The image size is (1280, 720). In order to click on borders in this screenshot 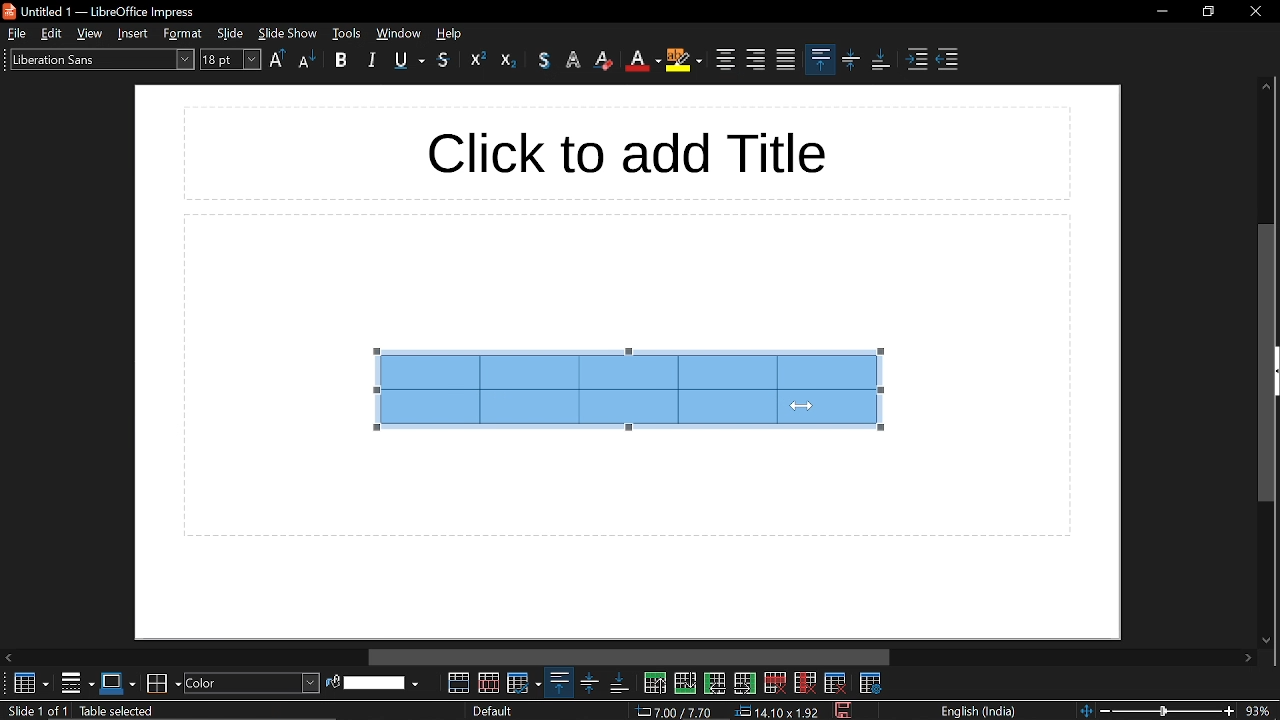, I will do `click(78, 683)`.